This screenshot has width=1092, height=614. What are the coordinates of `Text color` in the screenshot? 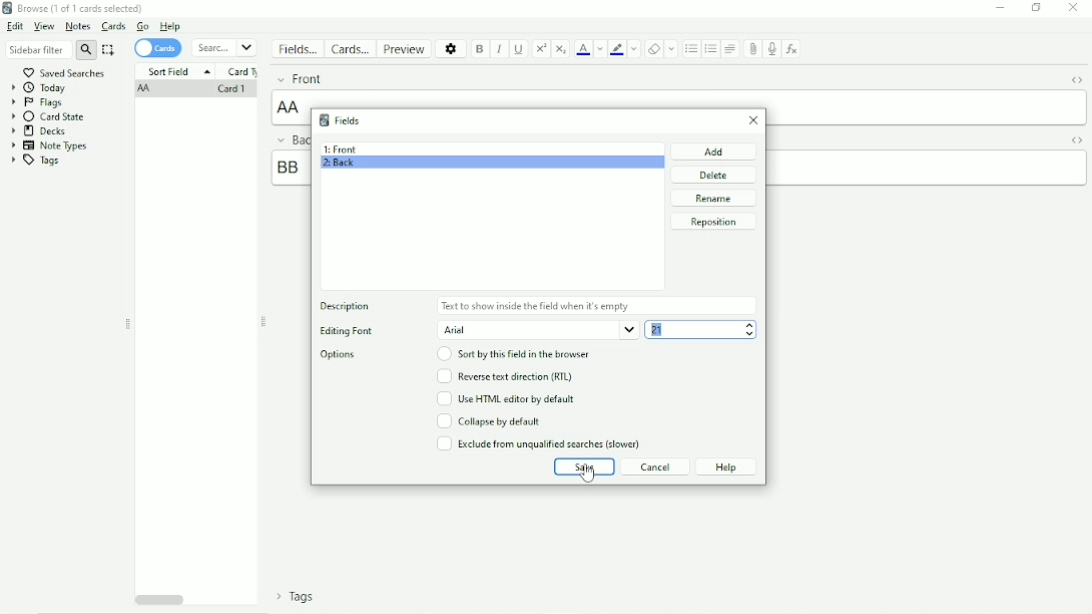 It's located at (583, 48).